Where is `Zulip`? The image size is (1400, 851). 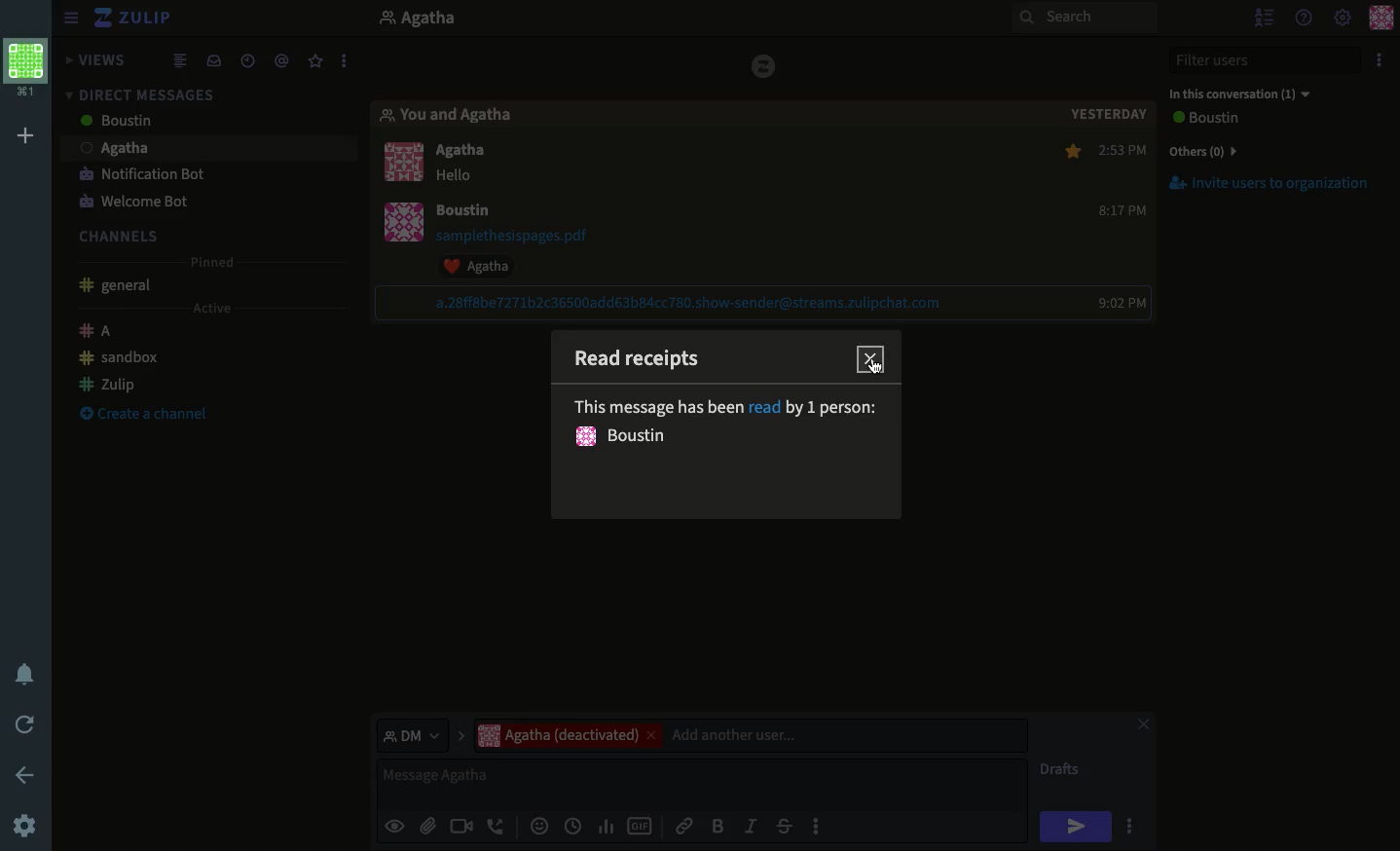 Zulip is located at coordinates (108, 382).